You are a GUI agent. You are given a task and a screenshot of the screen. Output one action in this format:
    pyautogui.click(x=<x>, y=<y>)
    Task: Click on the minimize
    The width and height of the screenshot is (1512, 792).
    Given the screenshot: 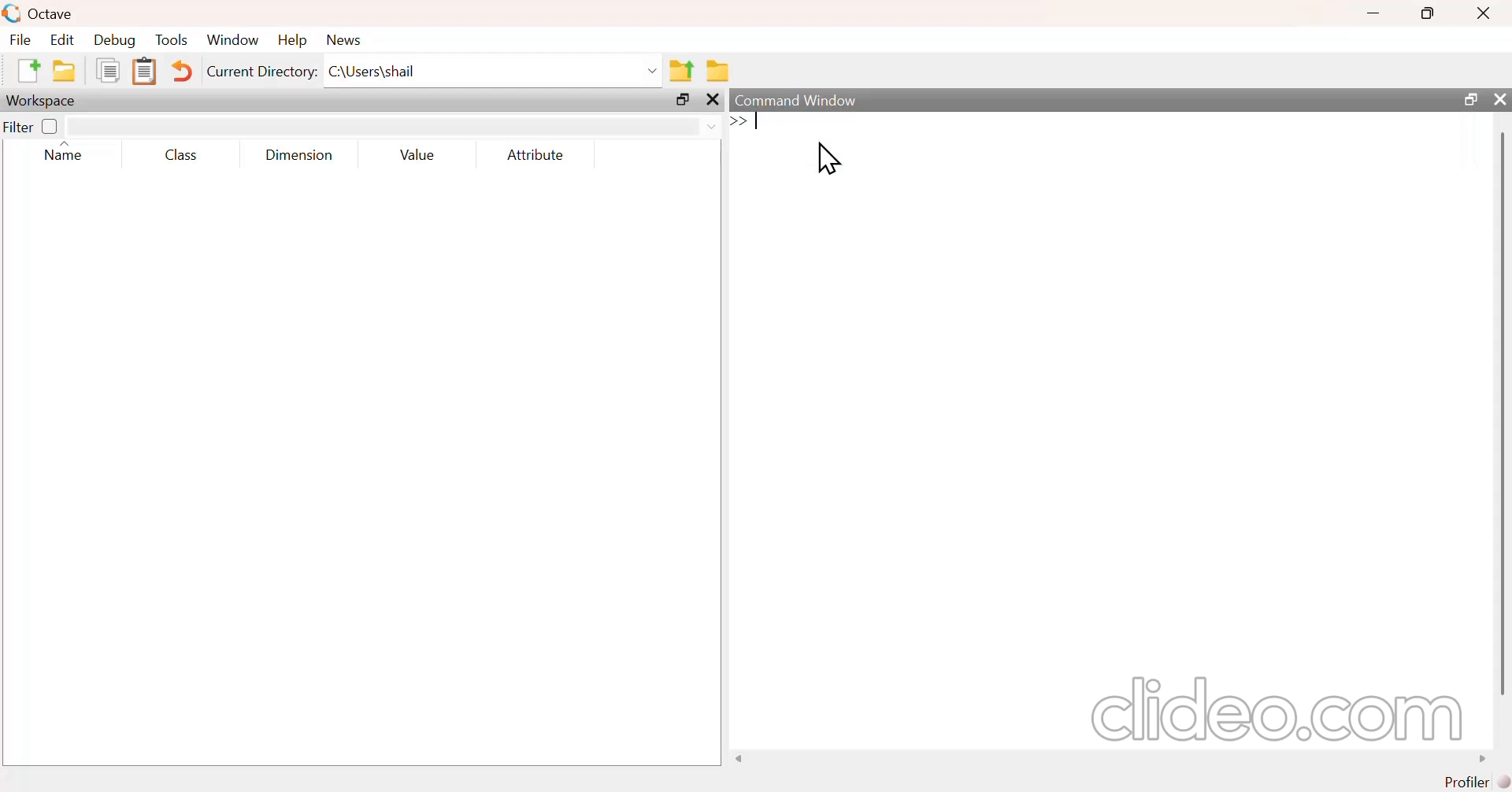 What is the action you would take?
    pyautogui.click(x=1373, y=13)
    